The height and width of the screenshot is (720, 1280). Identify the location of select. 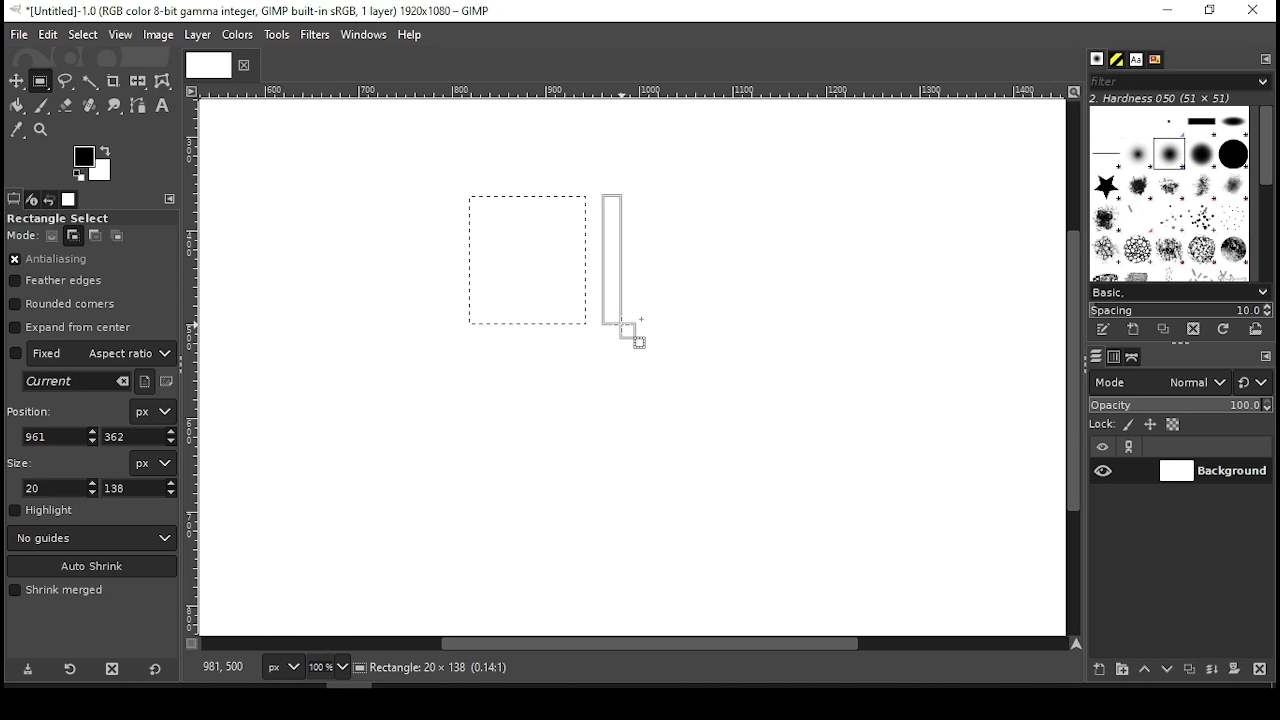
(82, 33).